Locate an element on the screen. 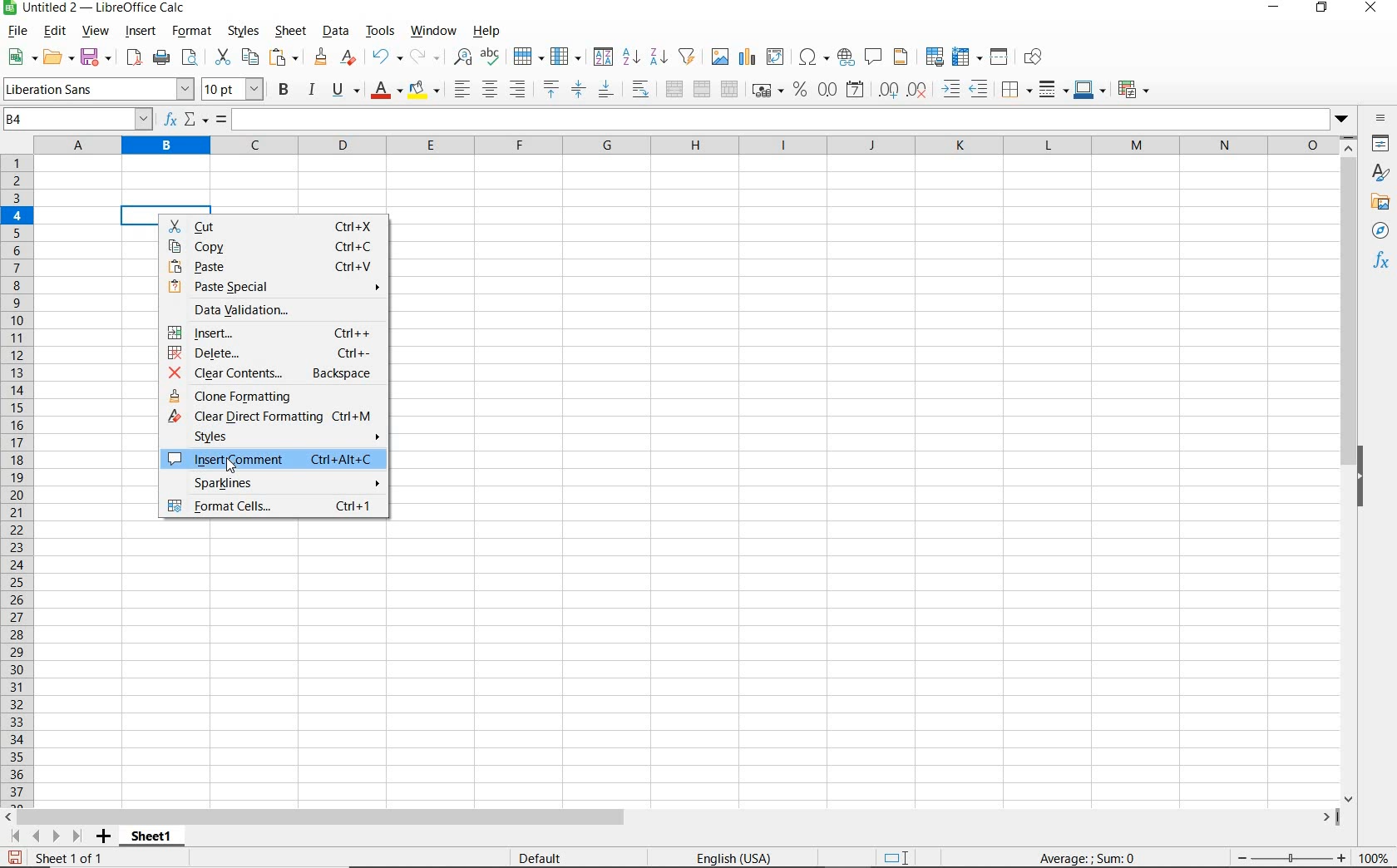  save is located at coordinates (95, 57).